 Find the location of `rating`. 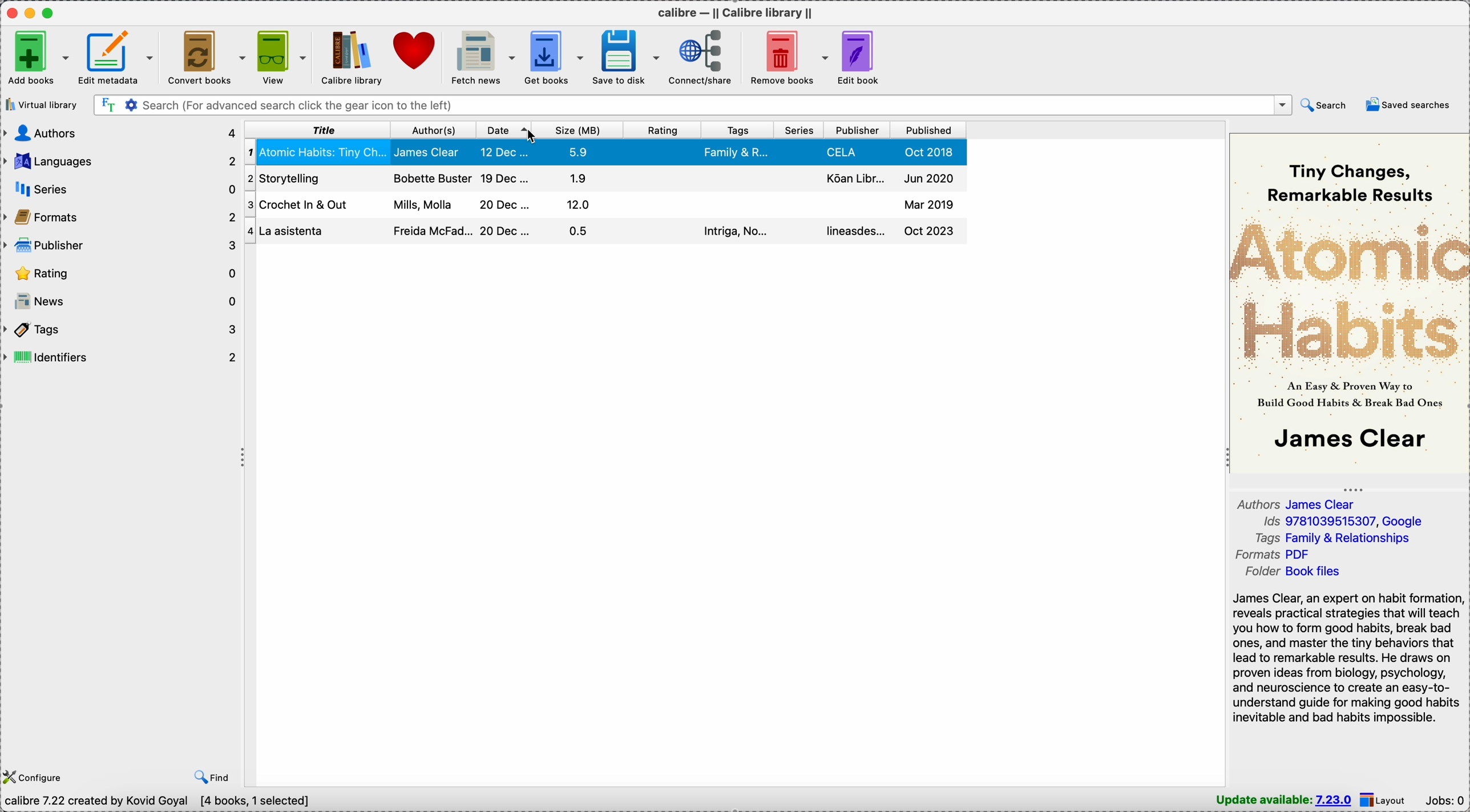

rating is located at coordinates (660, 131).